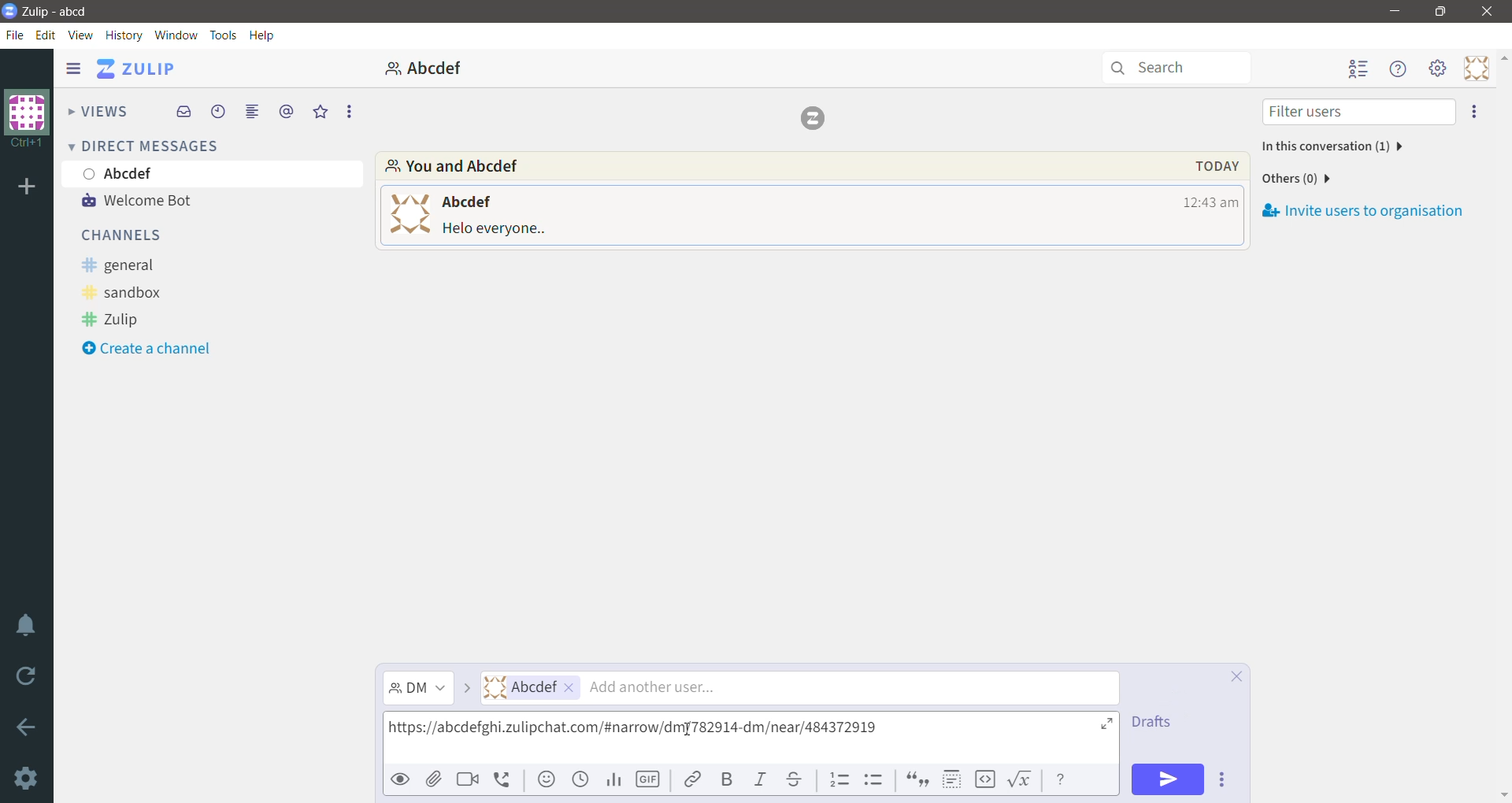  What do you see at coordinates (159, 349) in the screenshot?
I see `Create a channel` at bounding box center [159, 349].